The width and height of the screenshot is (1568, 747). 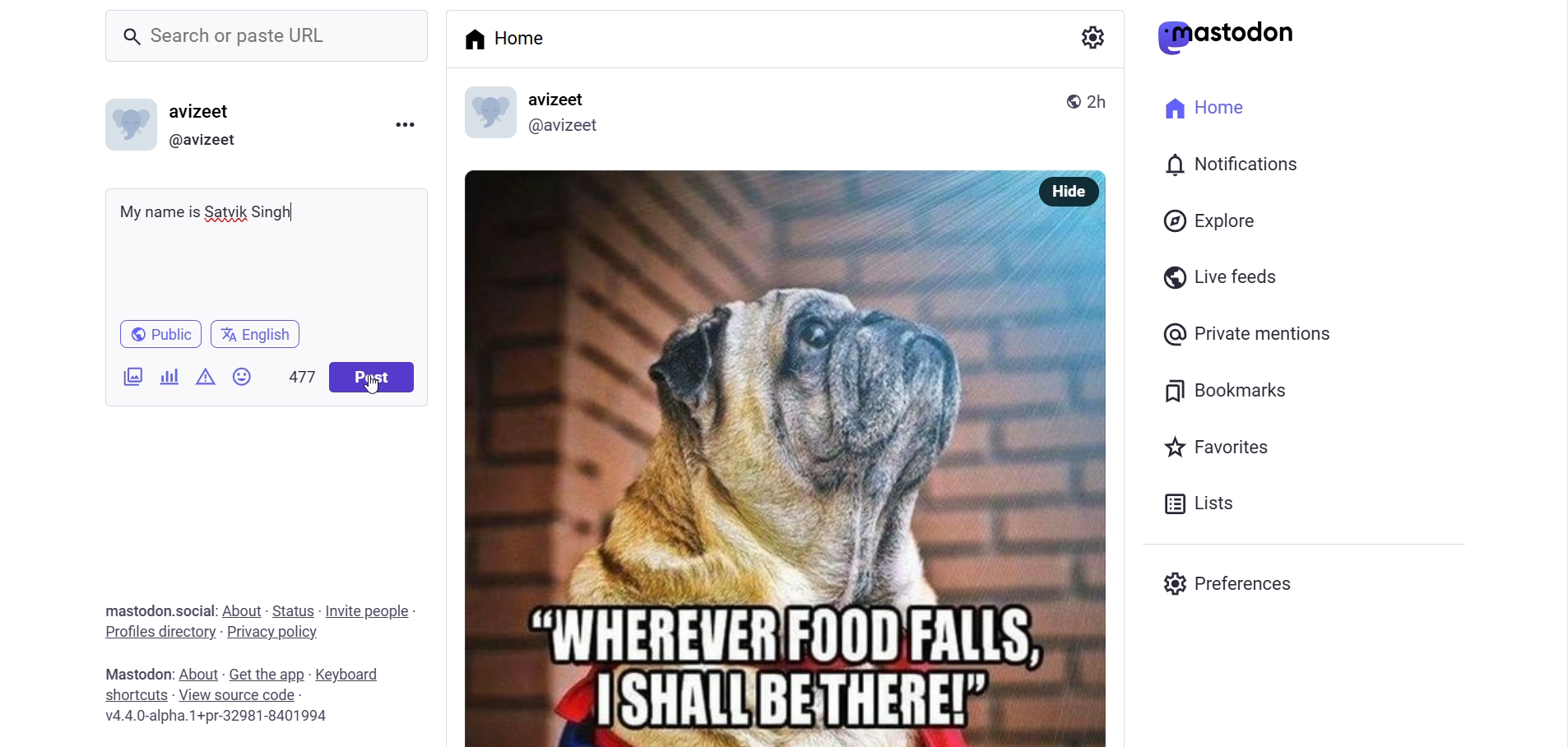 I want to click on avizeet, so click(x=566, y=98).